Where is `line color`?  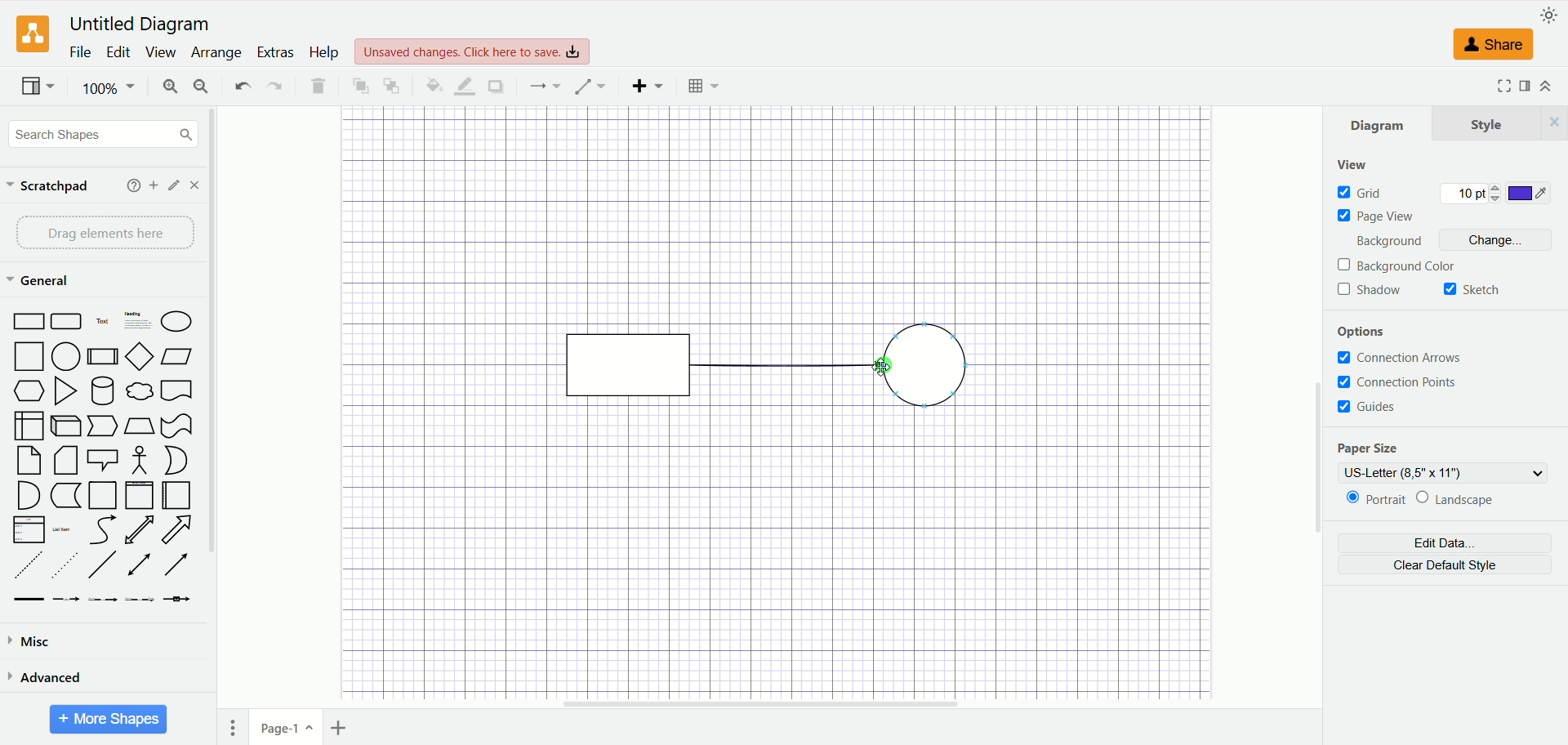 line color is located at coordinates (466, 87).